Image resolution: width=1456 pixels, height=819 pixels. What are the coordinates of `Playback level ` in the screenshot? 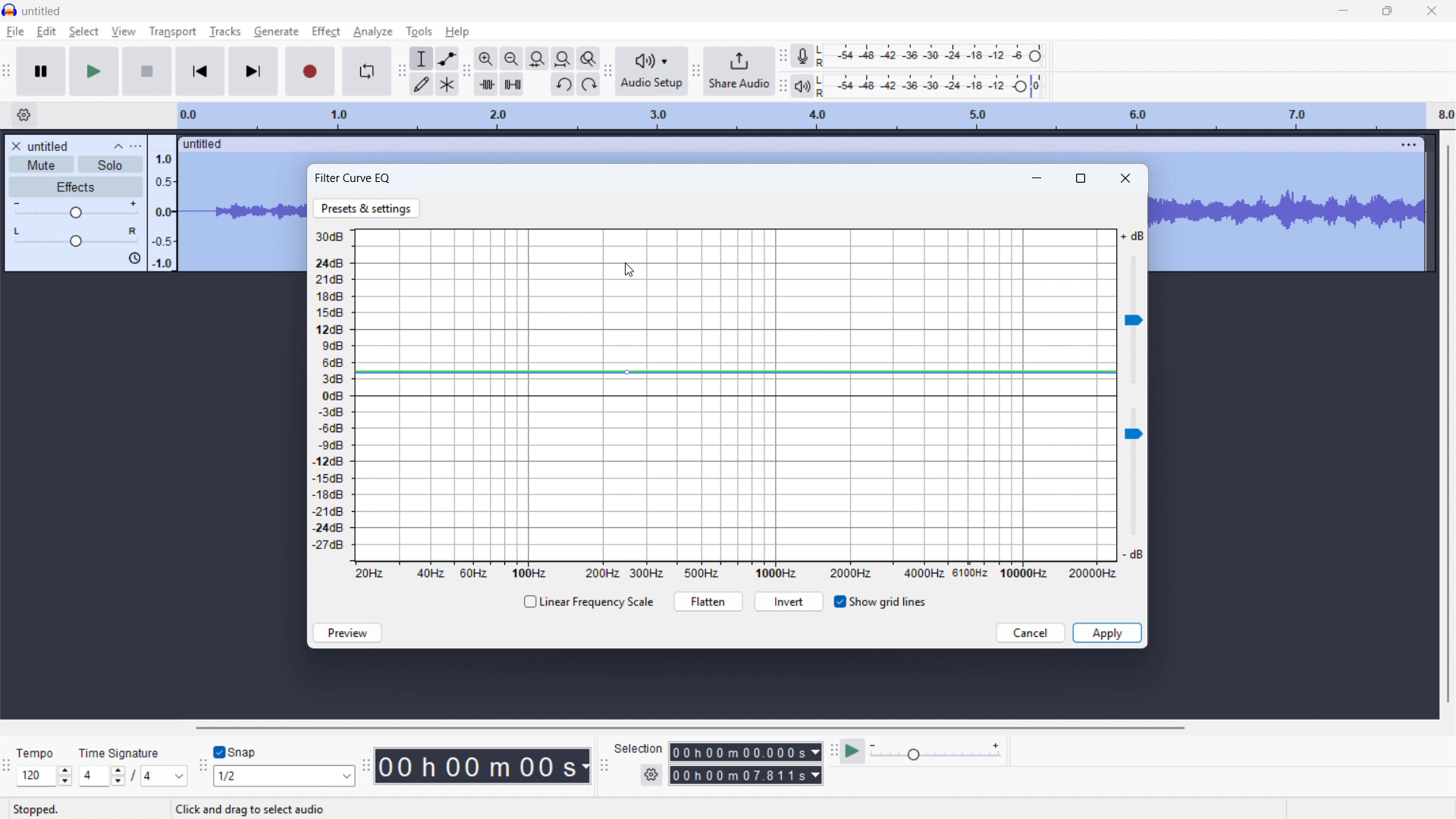 It's located at (929, 86).